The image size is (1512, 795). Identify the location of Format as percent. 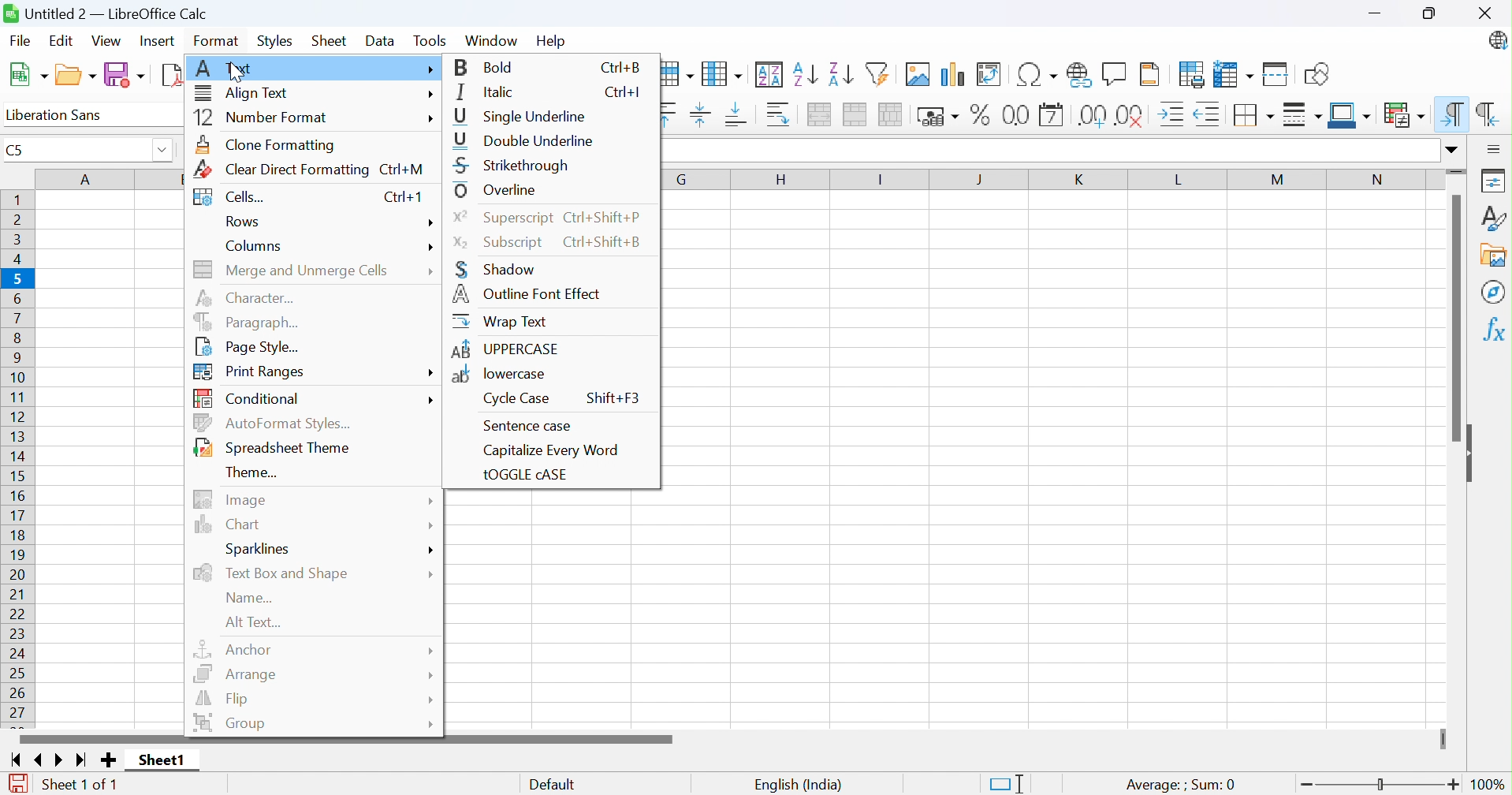
(980, 114).